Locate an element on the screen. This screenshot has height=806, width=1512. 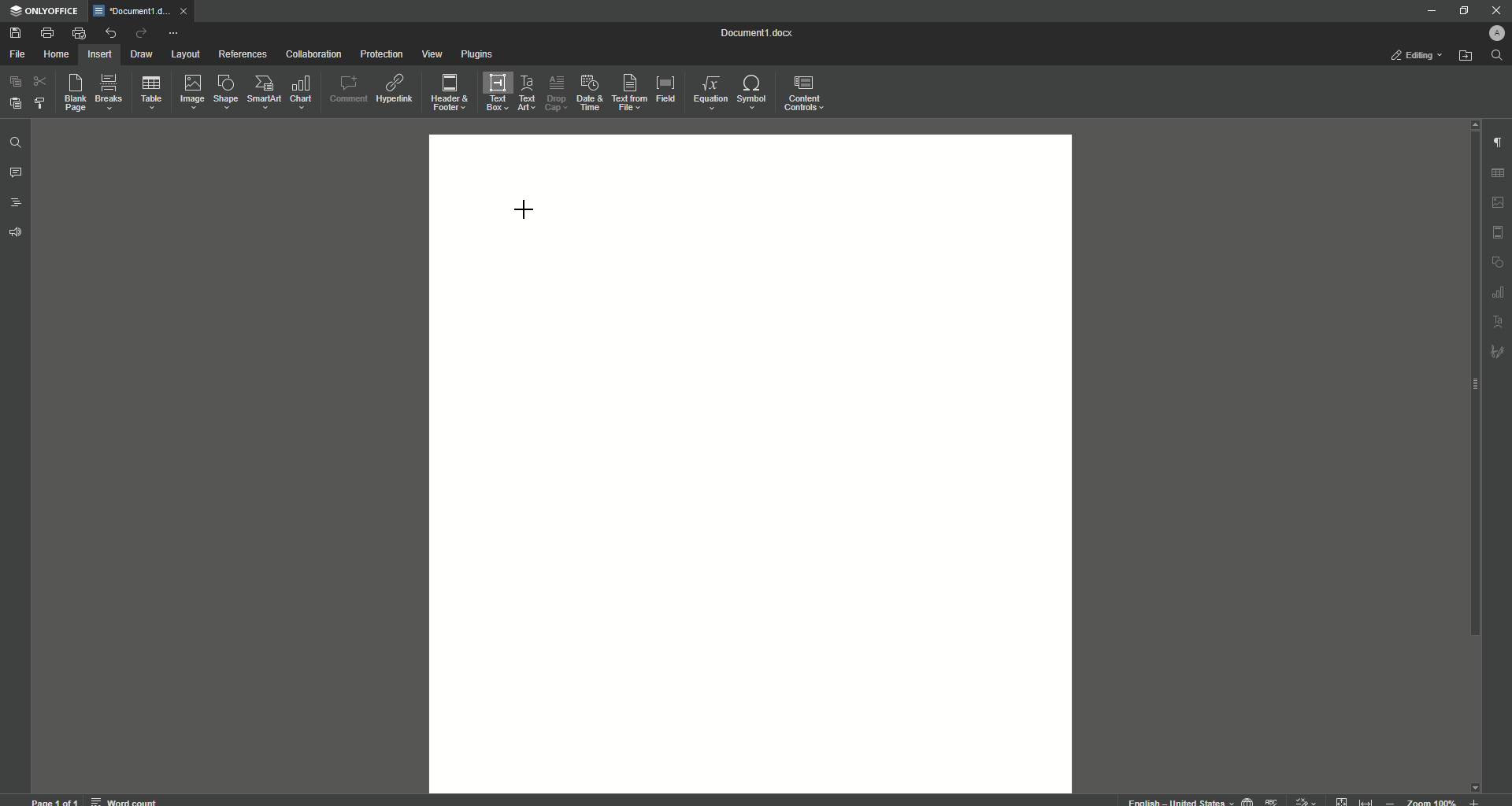
Tab 1 is located at coordinates (134, 11).